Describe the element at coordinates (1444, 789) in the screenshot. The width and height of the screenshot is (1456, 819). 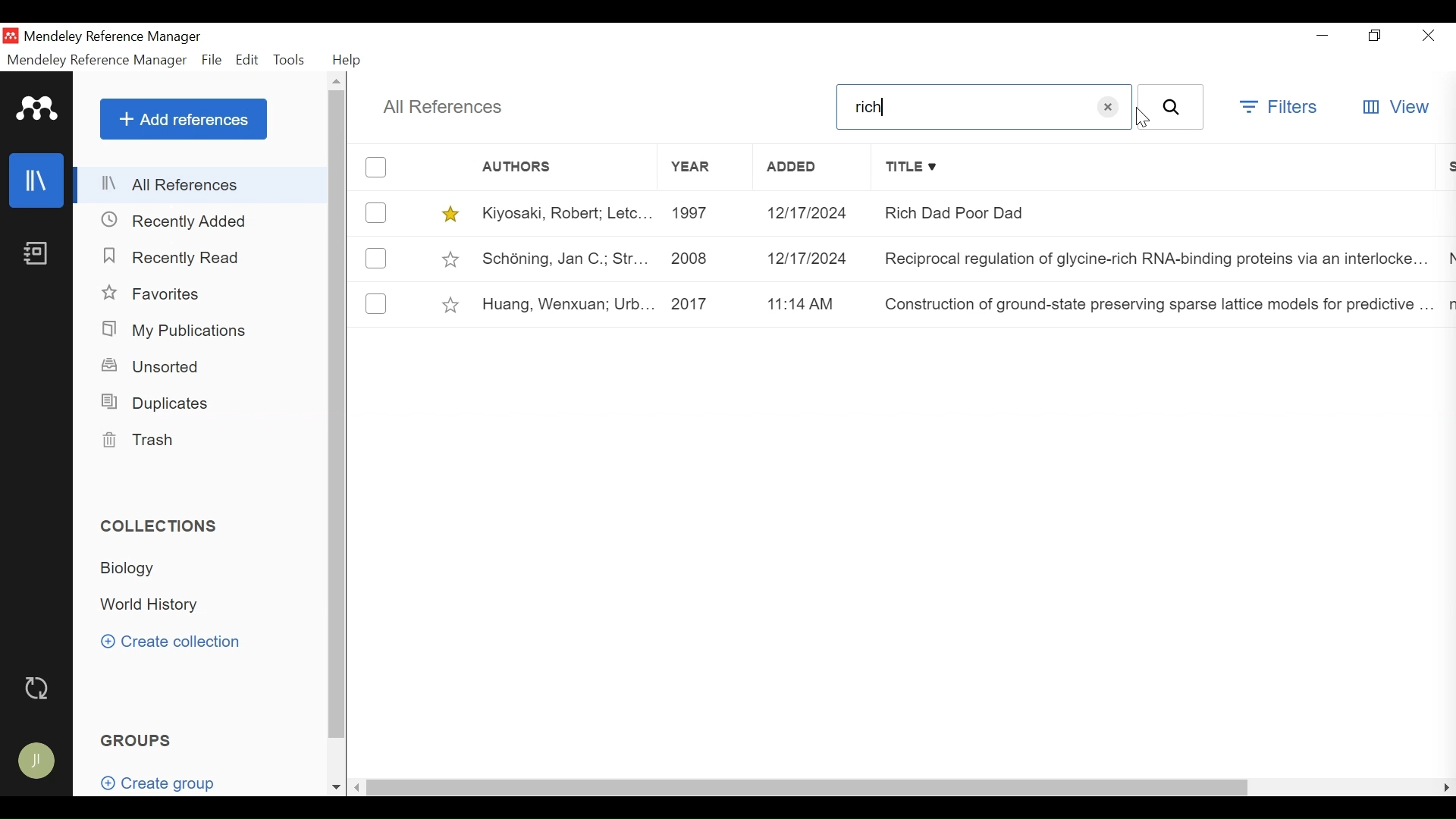
I see `Scroll Right` at that location.